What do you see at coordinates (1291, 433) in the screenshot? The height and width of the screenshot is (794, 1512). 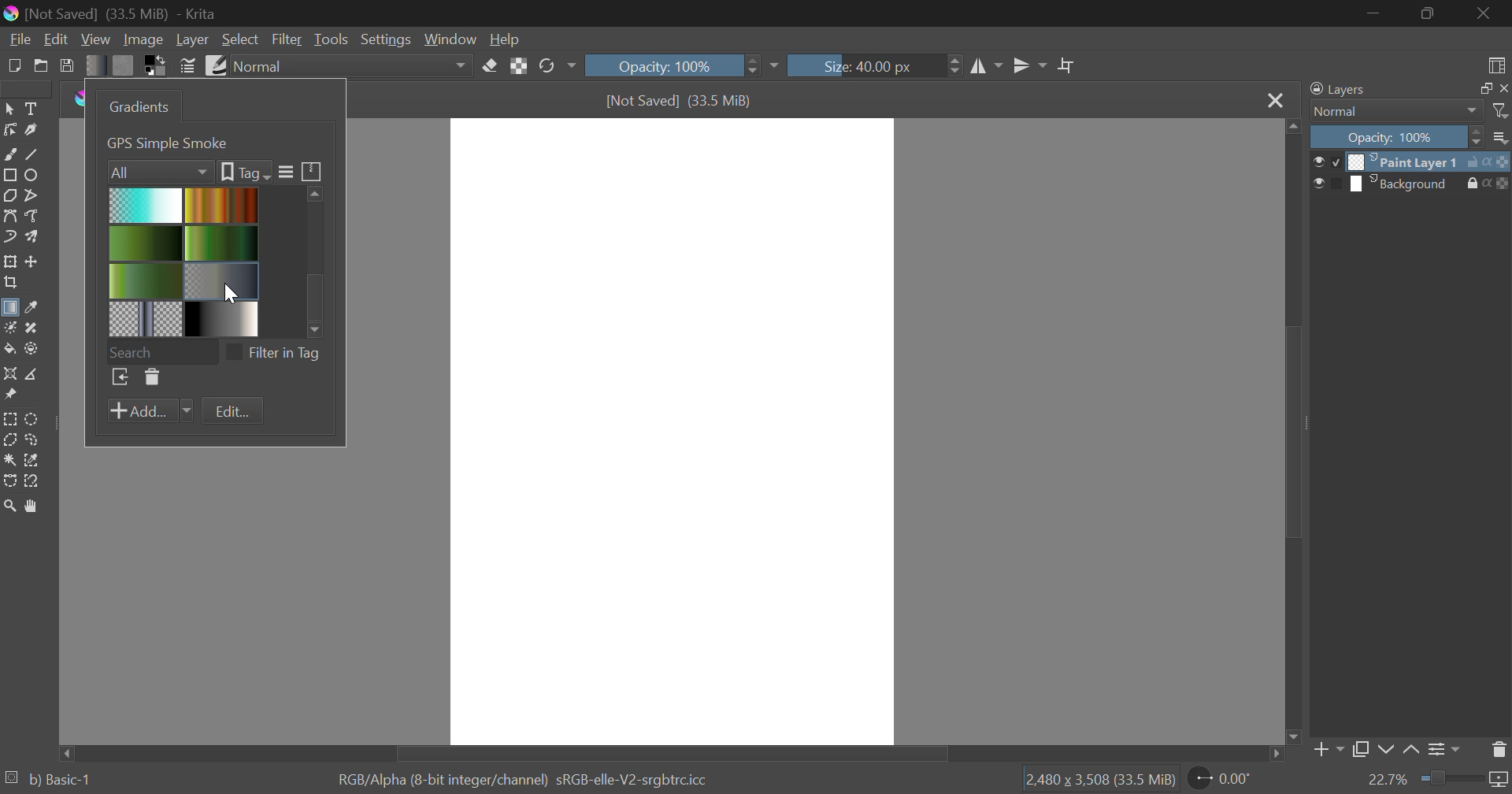 I see `Scroll Bar` at bounding box center [1291, 433].